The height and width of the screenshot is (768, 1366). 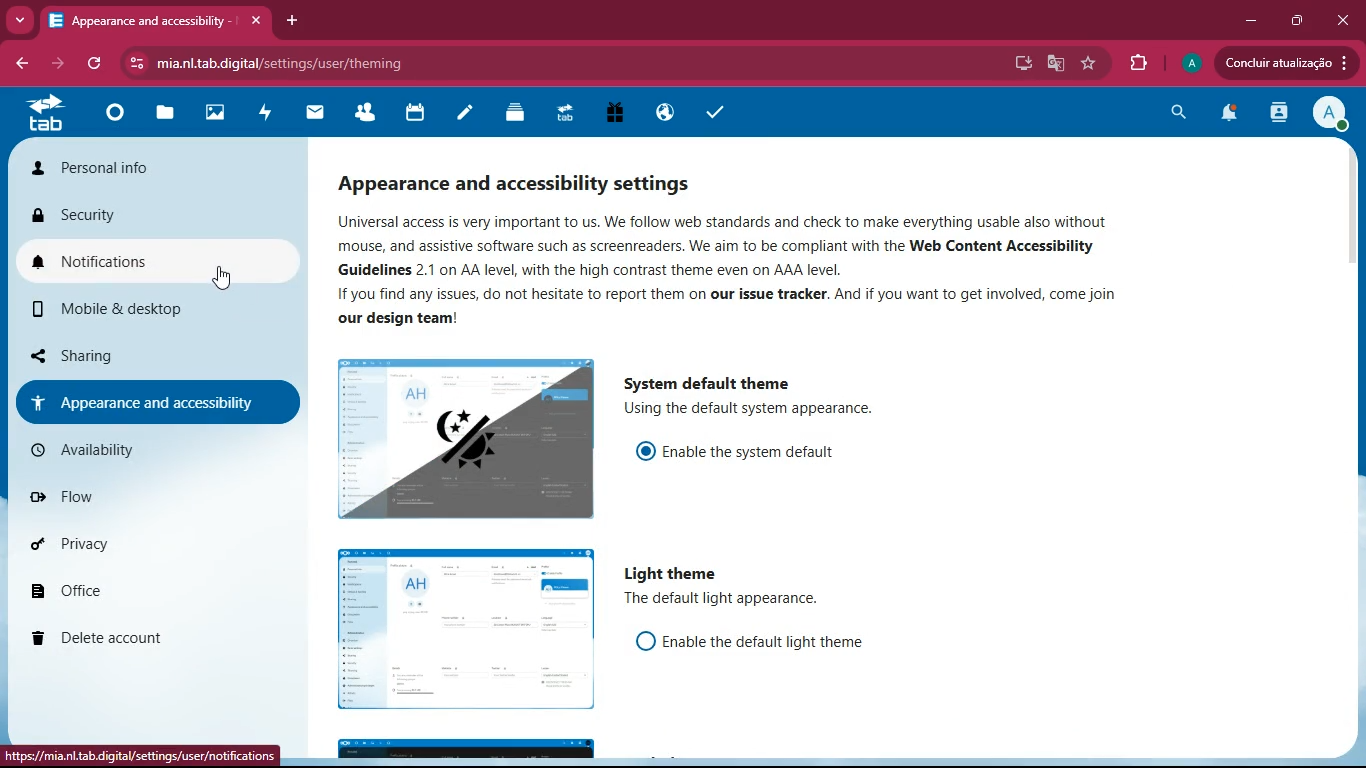 I want to click on layers, so click(x=516, y=117).